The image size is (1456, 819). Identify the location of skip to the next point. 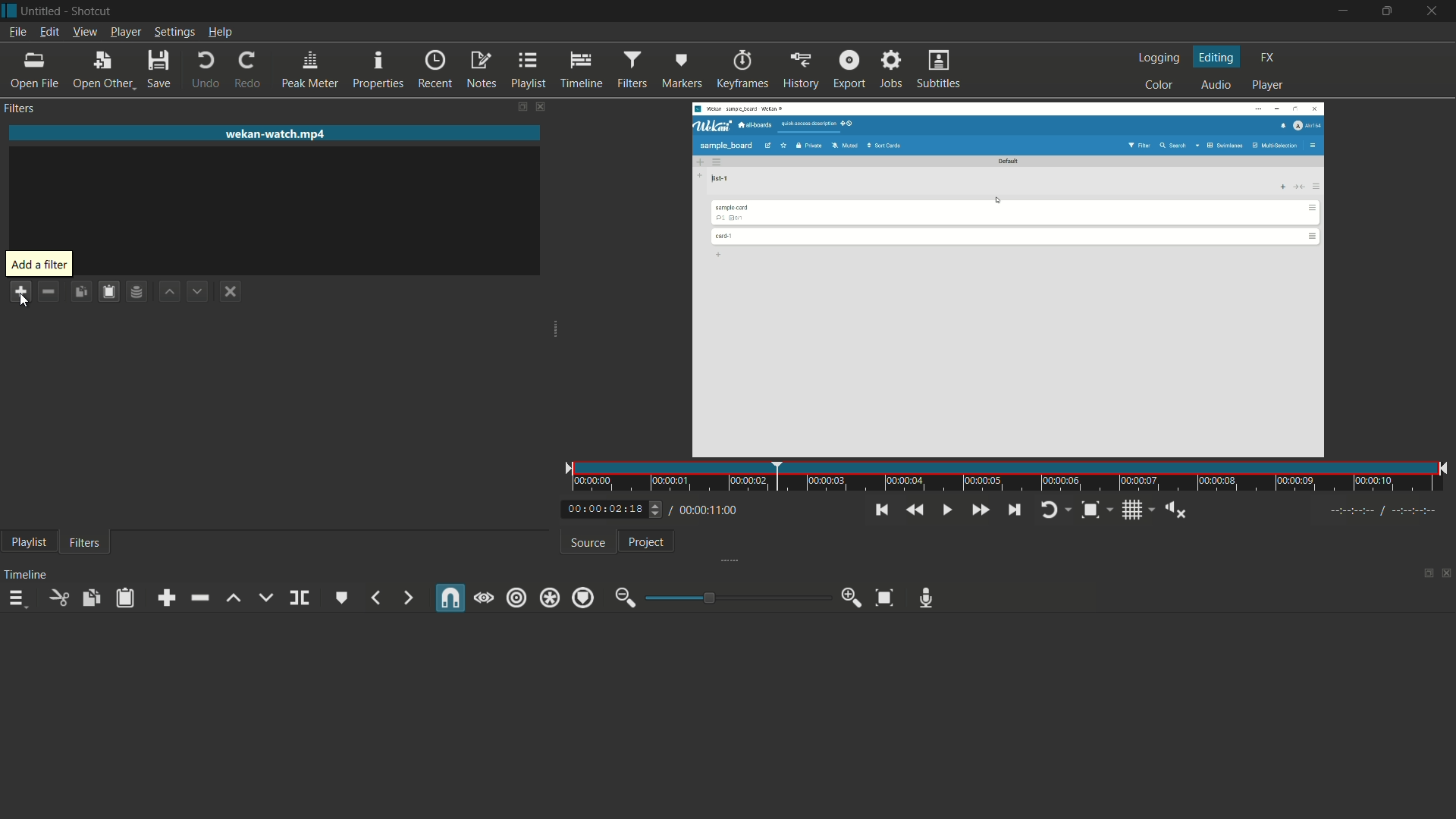
(1014, 510).